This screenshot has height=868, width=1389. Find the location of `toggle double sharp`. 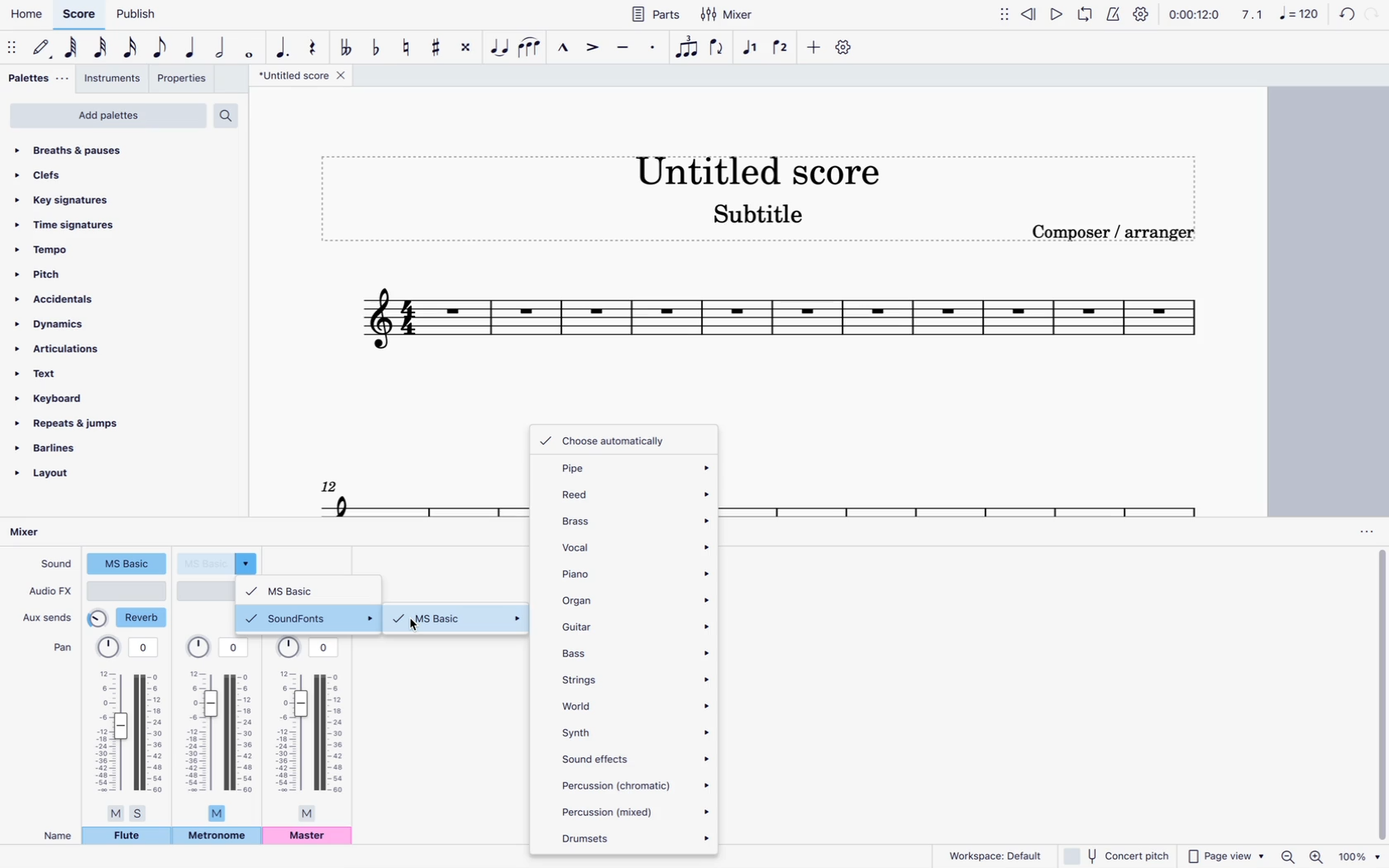

toggle double sharp is located at coordinates (466, 49).